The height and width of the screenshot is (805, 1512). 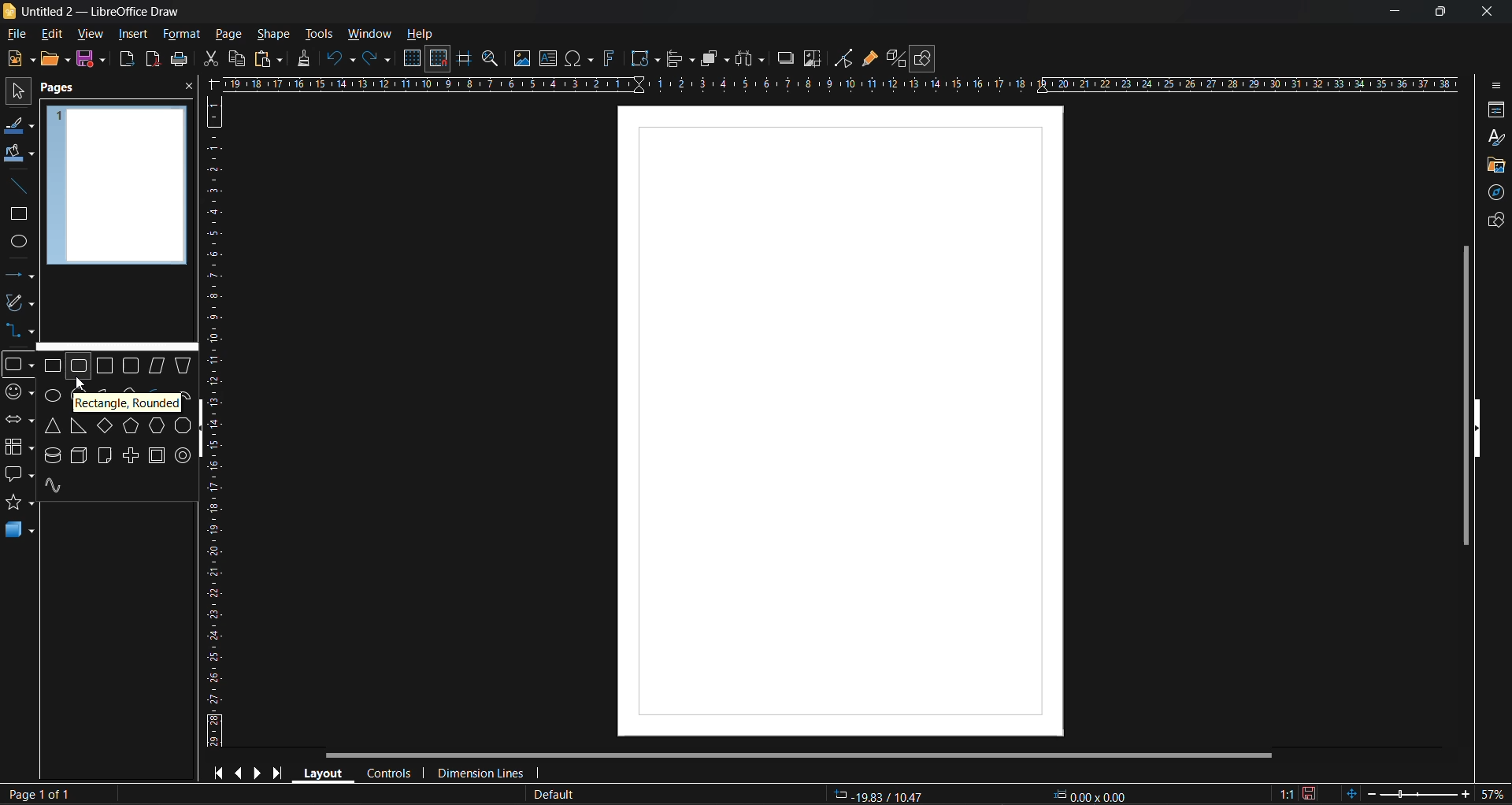 I want to click on insert, so click(x=130, y=34).